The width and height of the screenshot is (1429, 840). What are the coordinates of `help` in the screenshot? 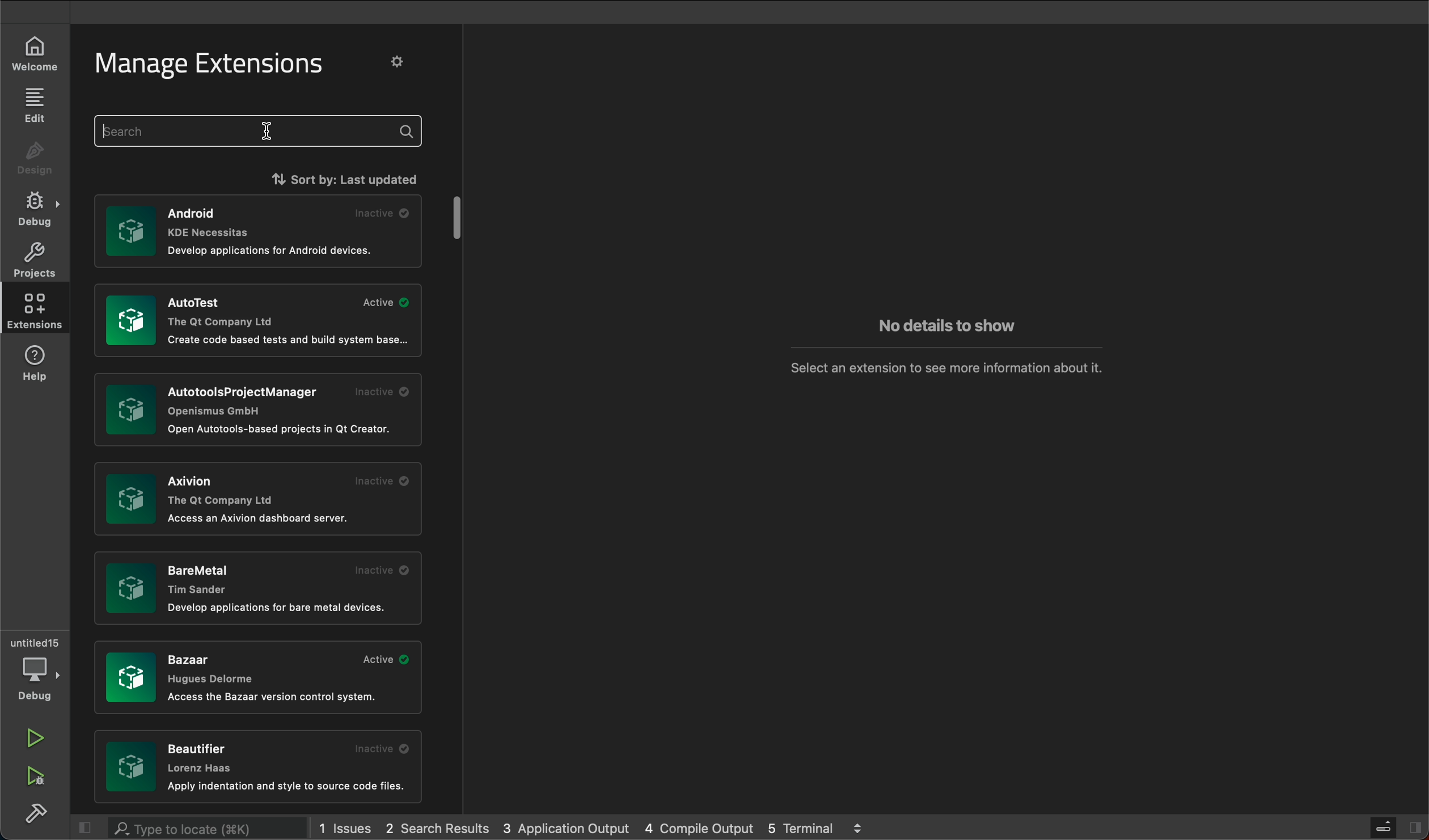 It's located at (40, 364).